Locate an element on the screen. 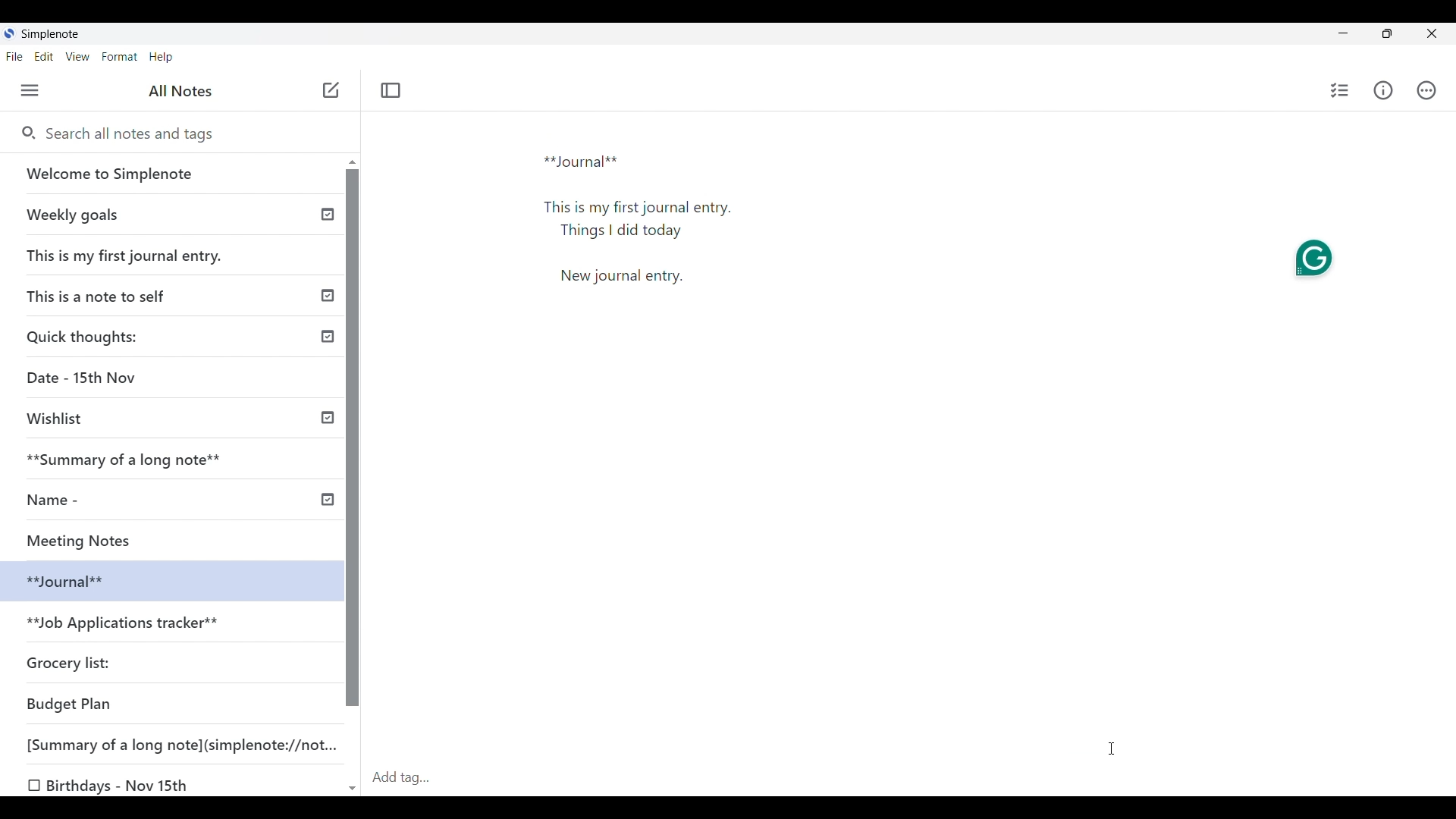  weekly goals is located at coordinates (170, 214).